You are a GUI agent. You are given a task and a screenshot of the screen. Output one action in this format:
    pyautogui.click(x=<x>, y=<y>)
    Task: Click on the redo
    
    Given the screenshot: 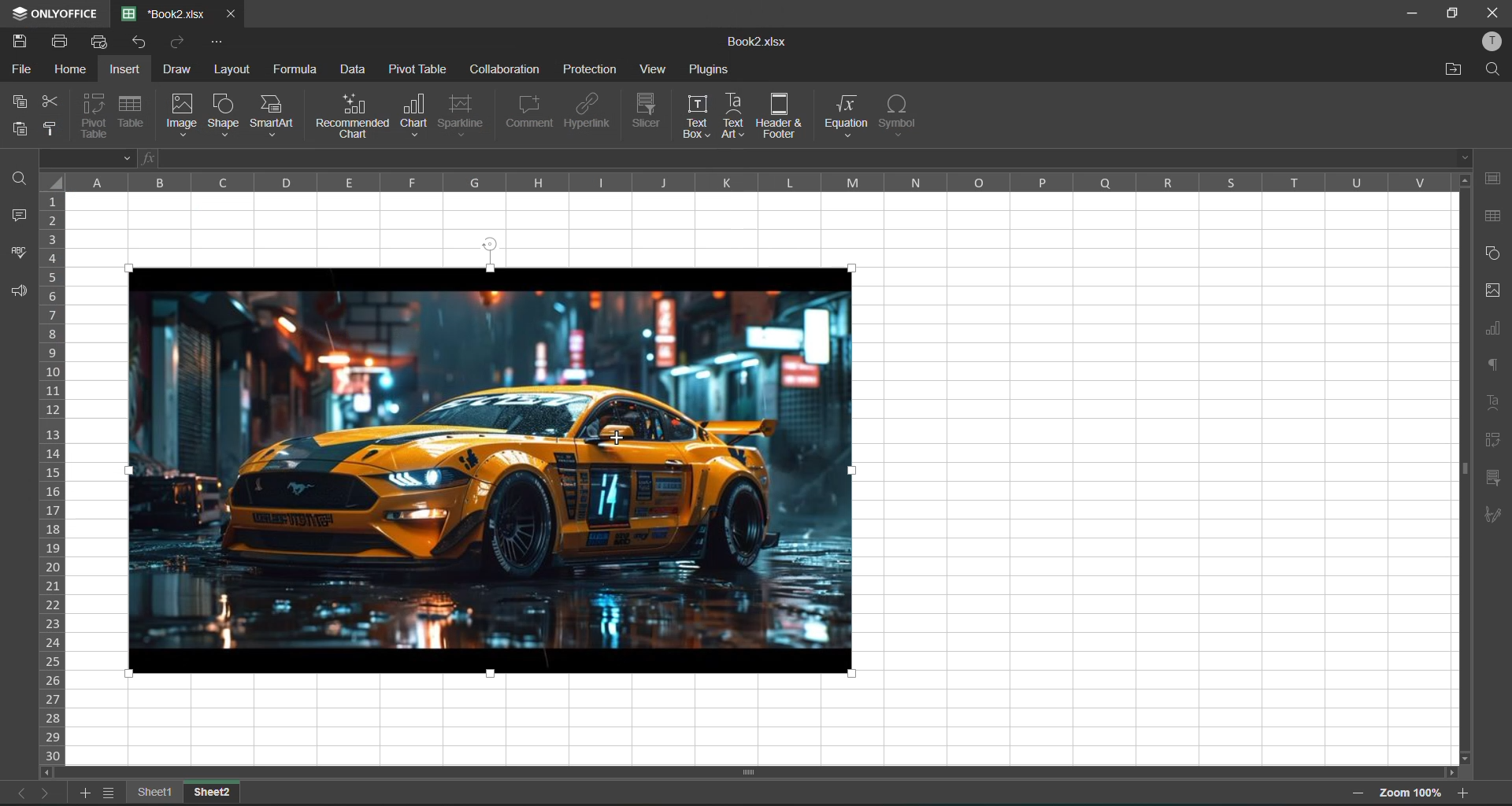 What is the action you would take?
    pyautogui.click(x=183, y=43)
    